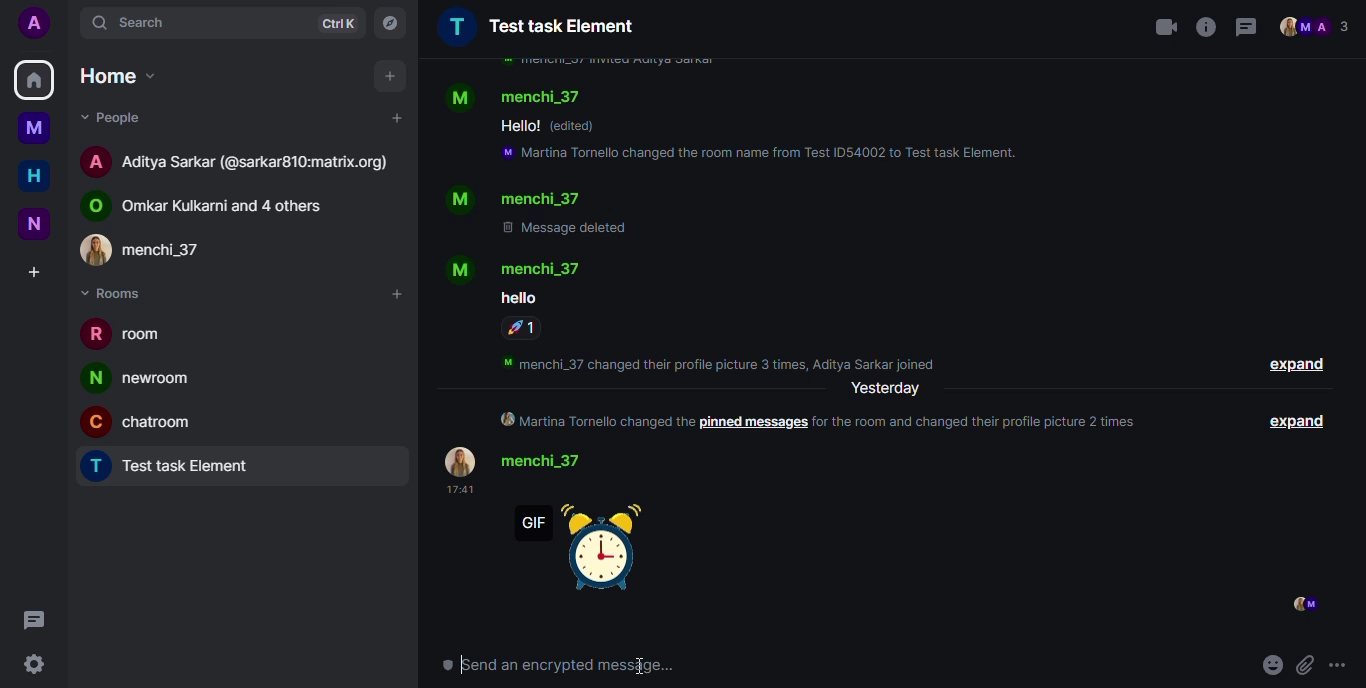 Image resolution: width=1366 pixels, height=688 pixels. Describe the element at coordinates (178, 468) in the screenshot. I see `Test task element` at that location.